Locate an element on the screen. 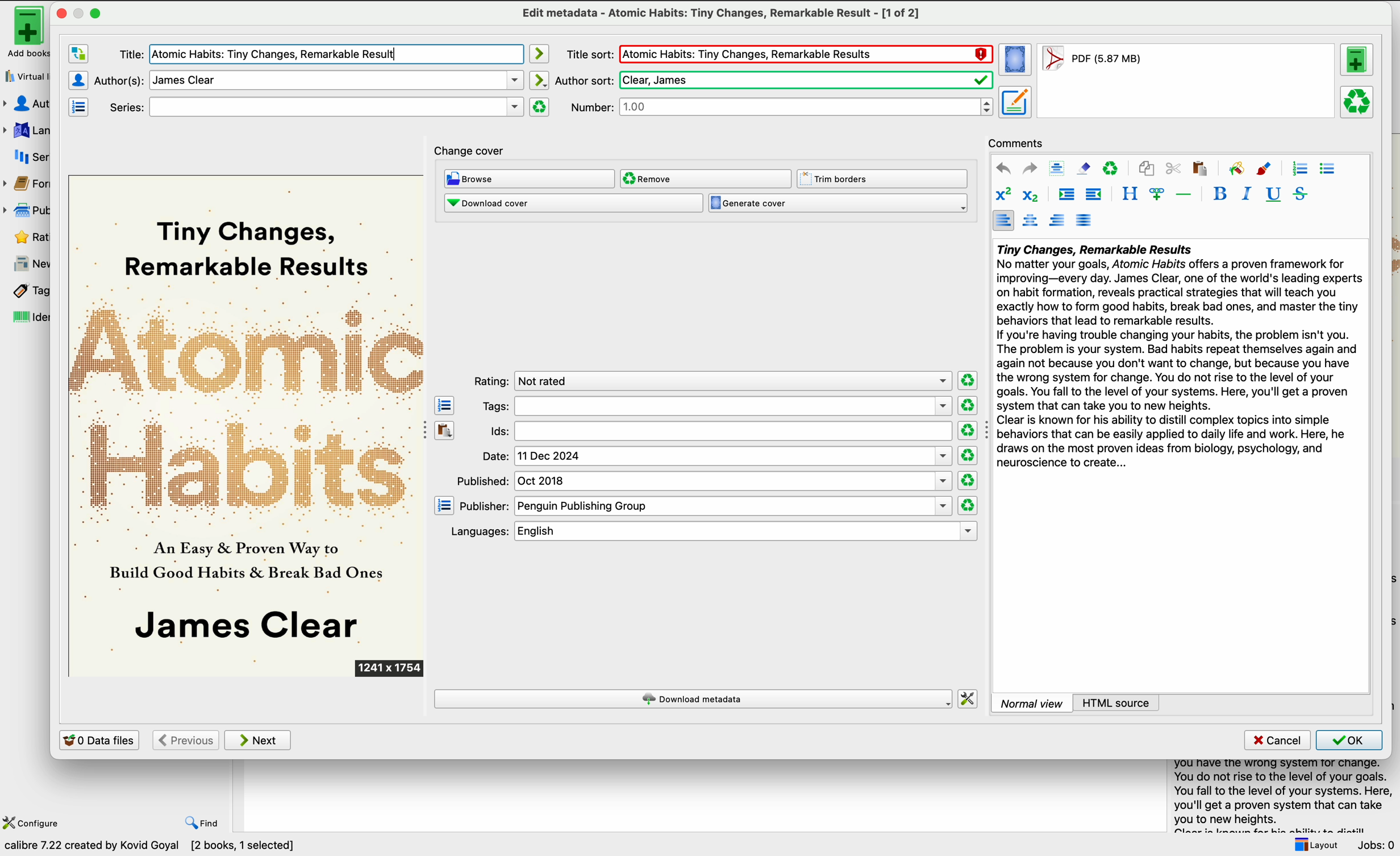  clear rating is located at coordinates (968, 505).